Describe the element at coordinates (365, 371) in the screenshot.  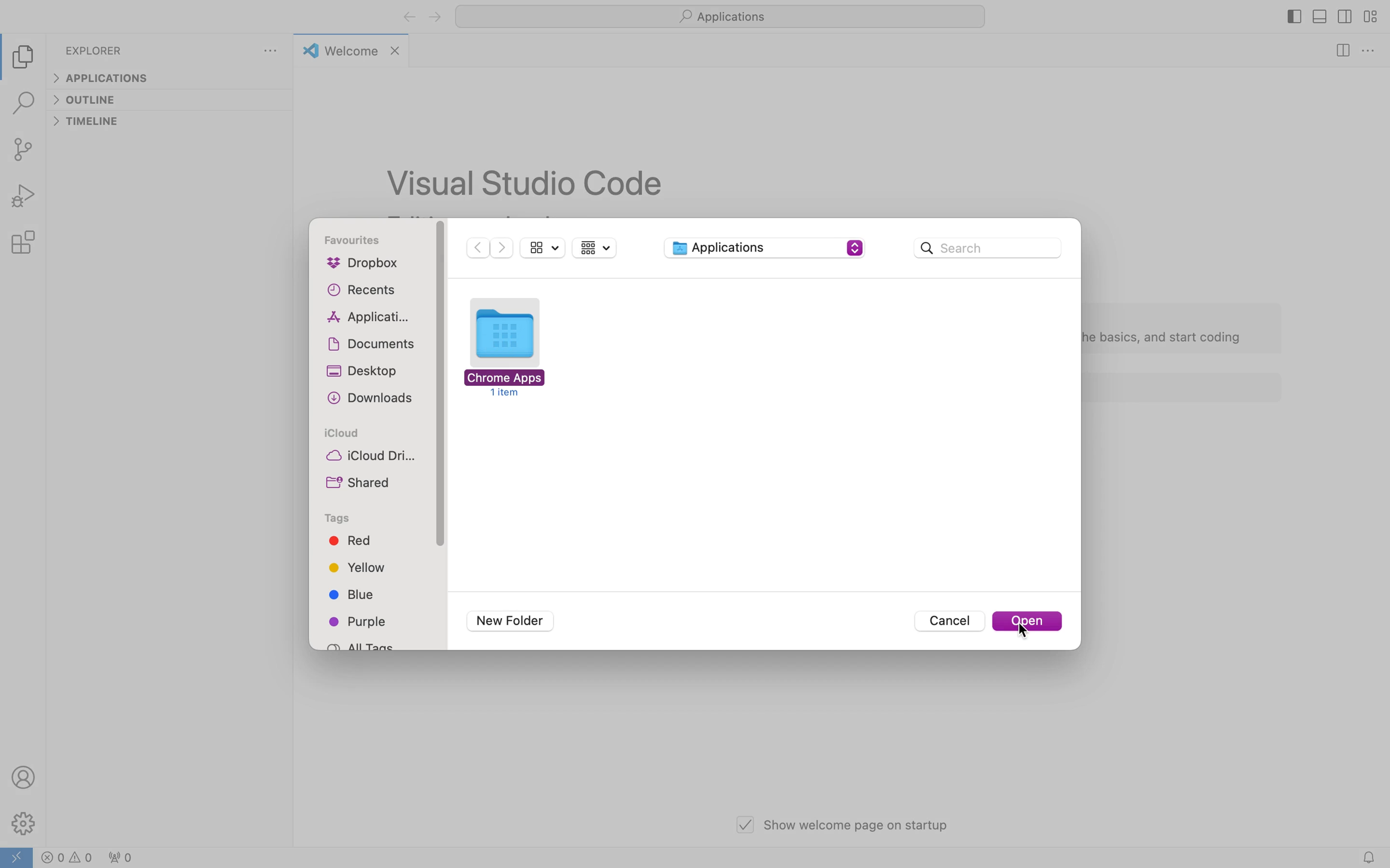
I see `desktop` at that location.